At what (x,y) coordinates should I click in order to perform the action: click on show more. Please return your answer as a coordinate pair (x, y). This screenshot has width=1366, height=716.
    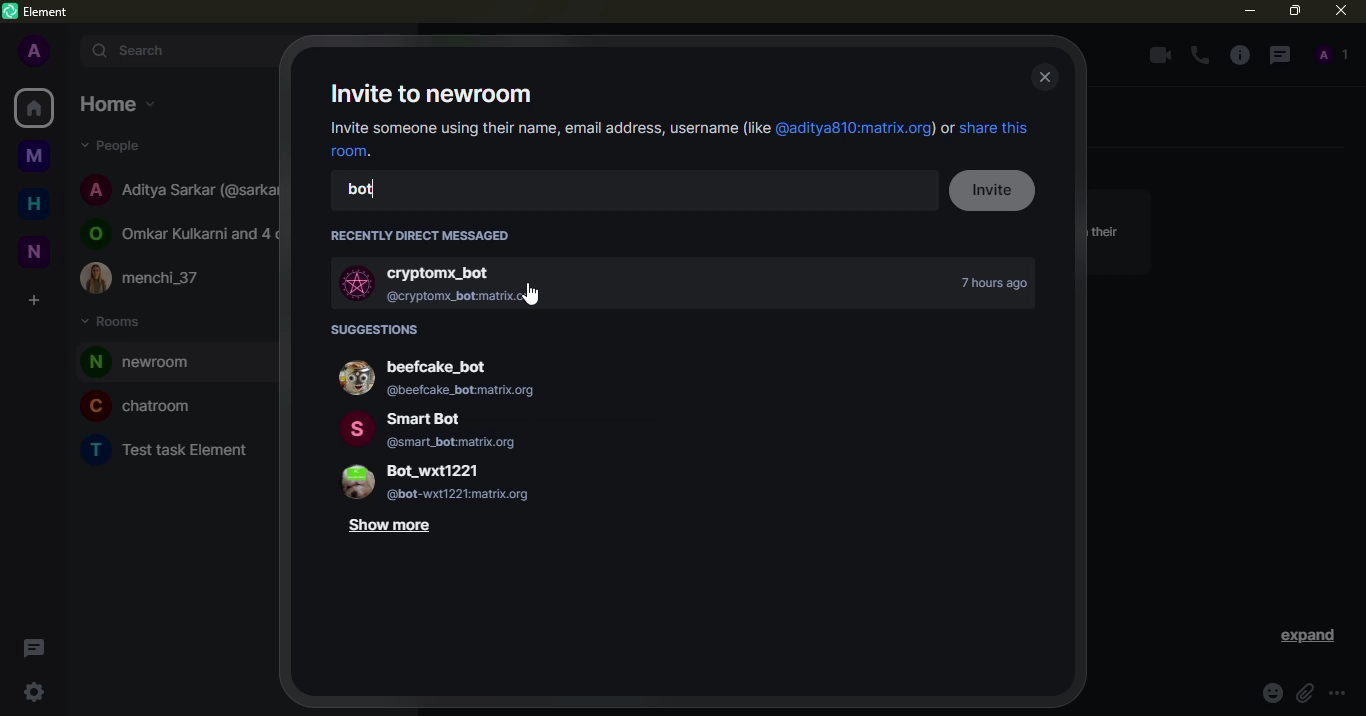
    Looking at the image, I should click on (391, 527).